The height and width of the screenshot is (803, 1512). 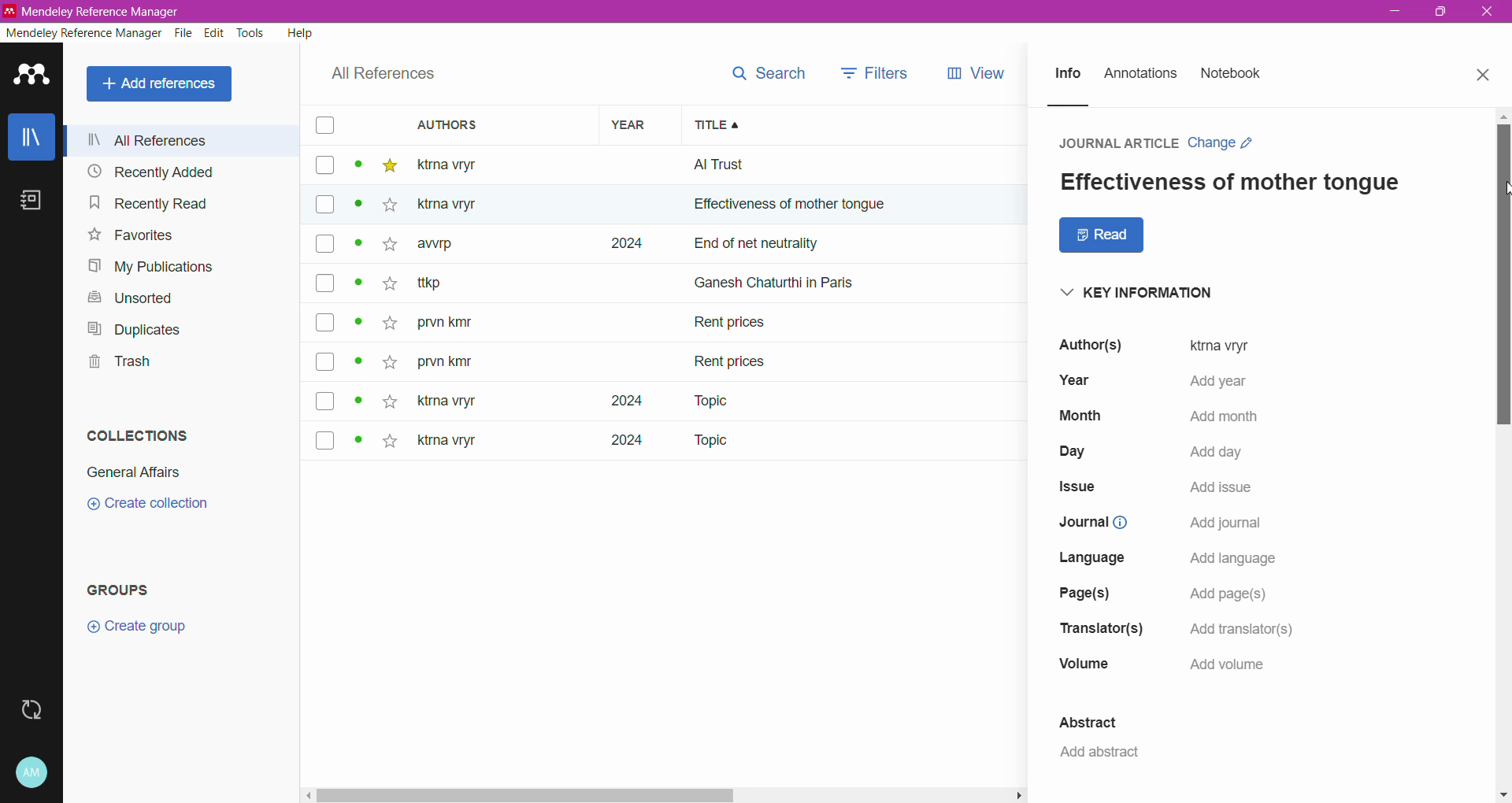 I want to click on 2024, so click(x=613, y=401).